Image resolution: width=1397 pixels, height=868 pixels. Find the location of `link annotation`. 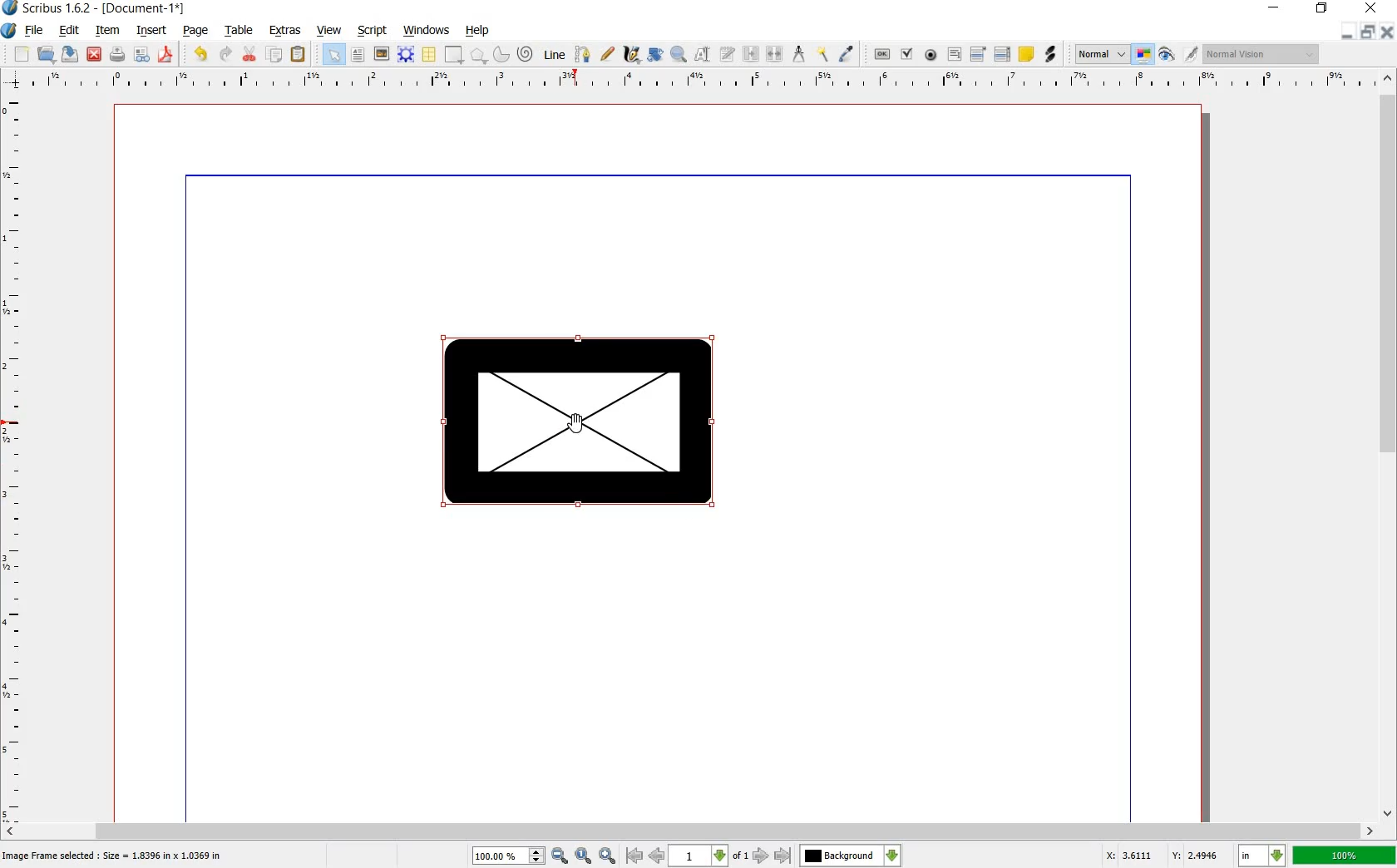

link annotation is located at coordinates (1051, 55).